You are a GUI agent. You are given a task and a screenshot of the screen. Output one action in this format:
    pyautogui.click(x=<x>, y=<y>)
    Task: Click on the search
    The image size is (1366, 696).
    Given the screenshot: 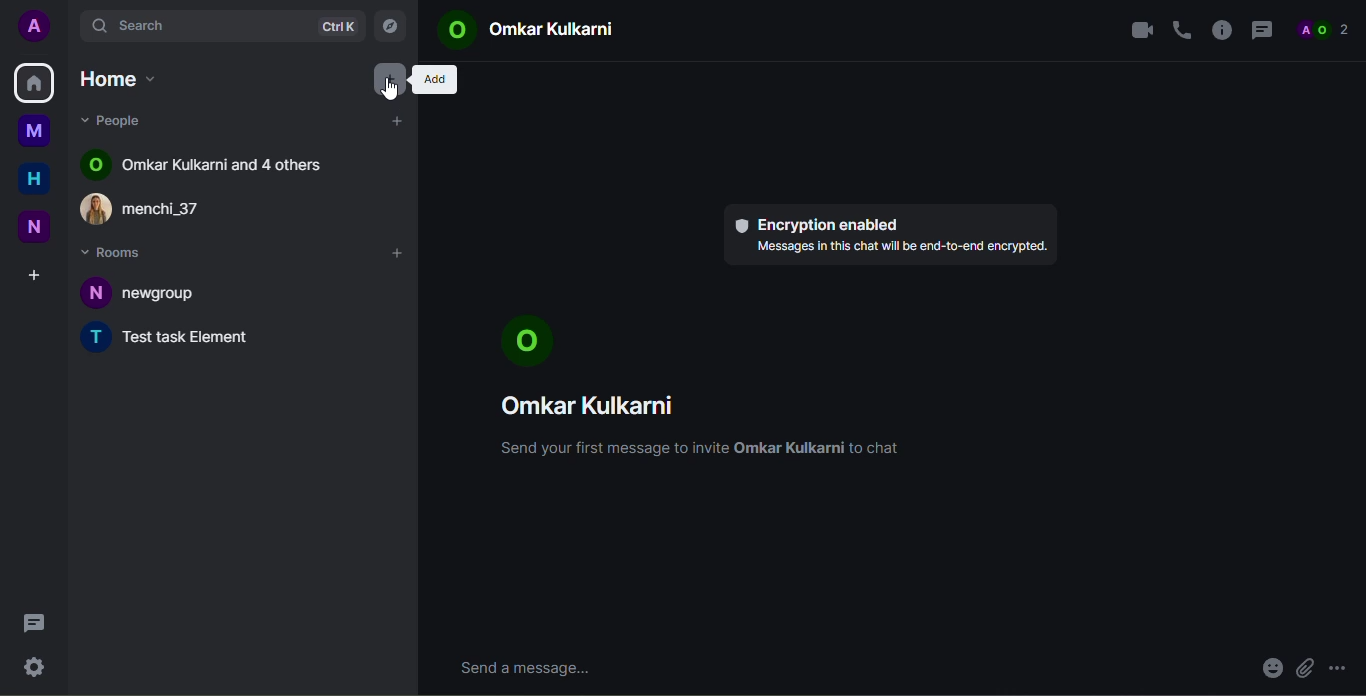 What is the action you would take?
    pyautogui.click(x=146, y=24)
    